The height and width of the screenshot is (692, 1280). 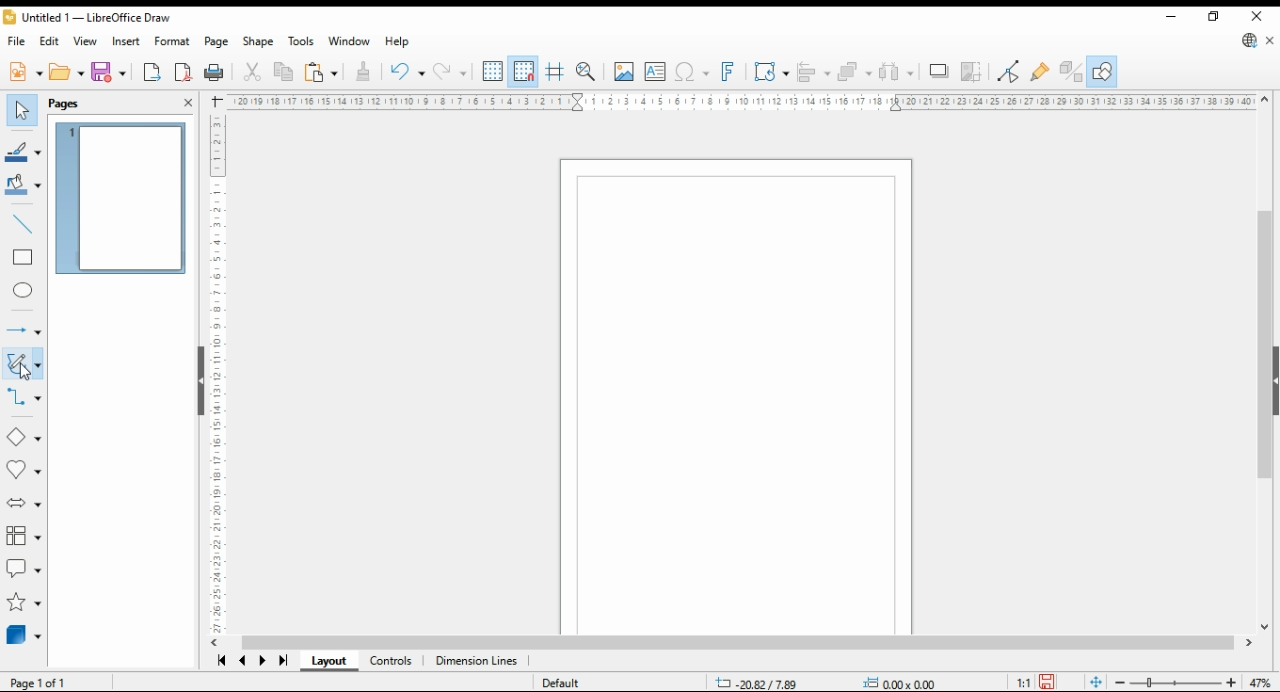 I want to click on snap to grid, so click(x=525, y=72).